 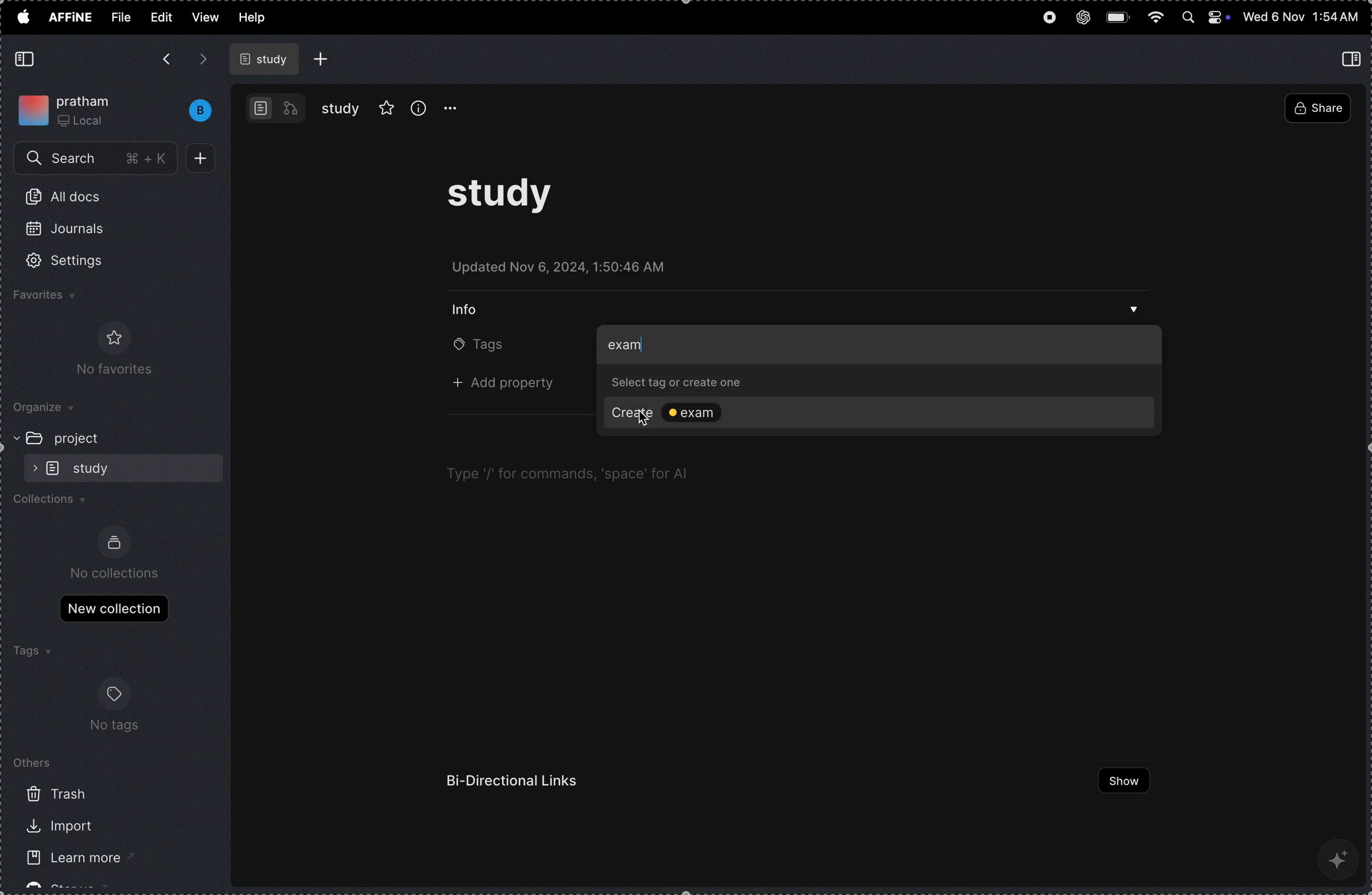 I want to click on import, so click(x=55, y=826).